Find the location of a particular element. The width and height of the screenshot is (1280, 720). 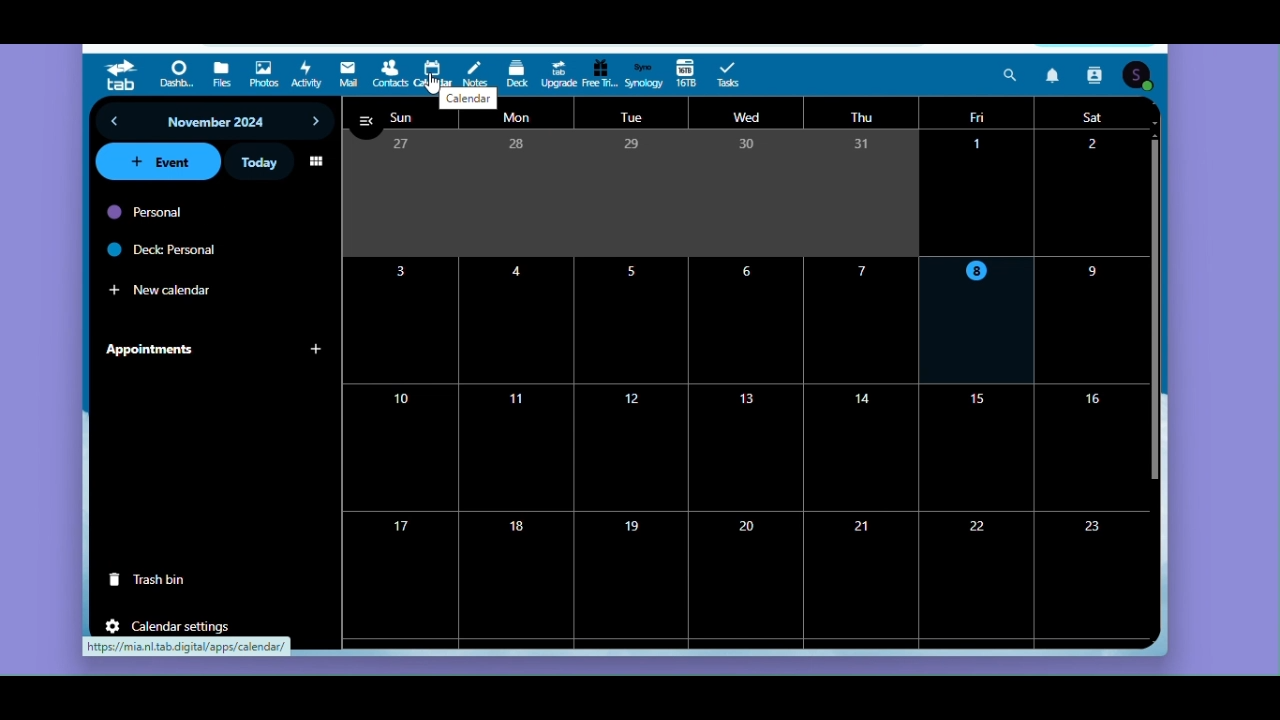

Dashboard is located at coordinates (179, 76).